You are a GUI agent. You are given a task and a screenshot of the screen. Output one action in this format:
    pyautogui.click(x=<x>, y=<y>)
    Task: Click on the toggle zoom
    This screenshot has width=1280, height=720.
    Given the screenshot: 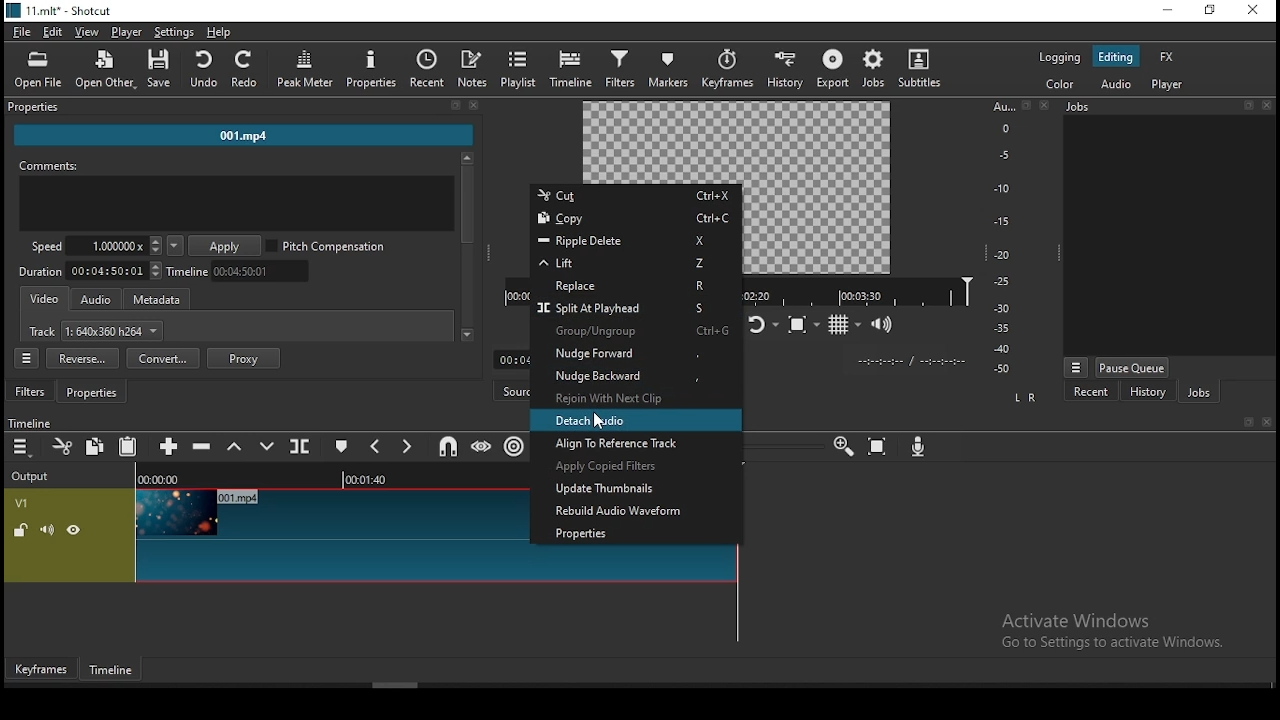 What is the action you would take?
    pyautogui.click(x=805, y=322)
    